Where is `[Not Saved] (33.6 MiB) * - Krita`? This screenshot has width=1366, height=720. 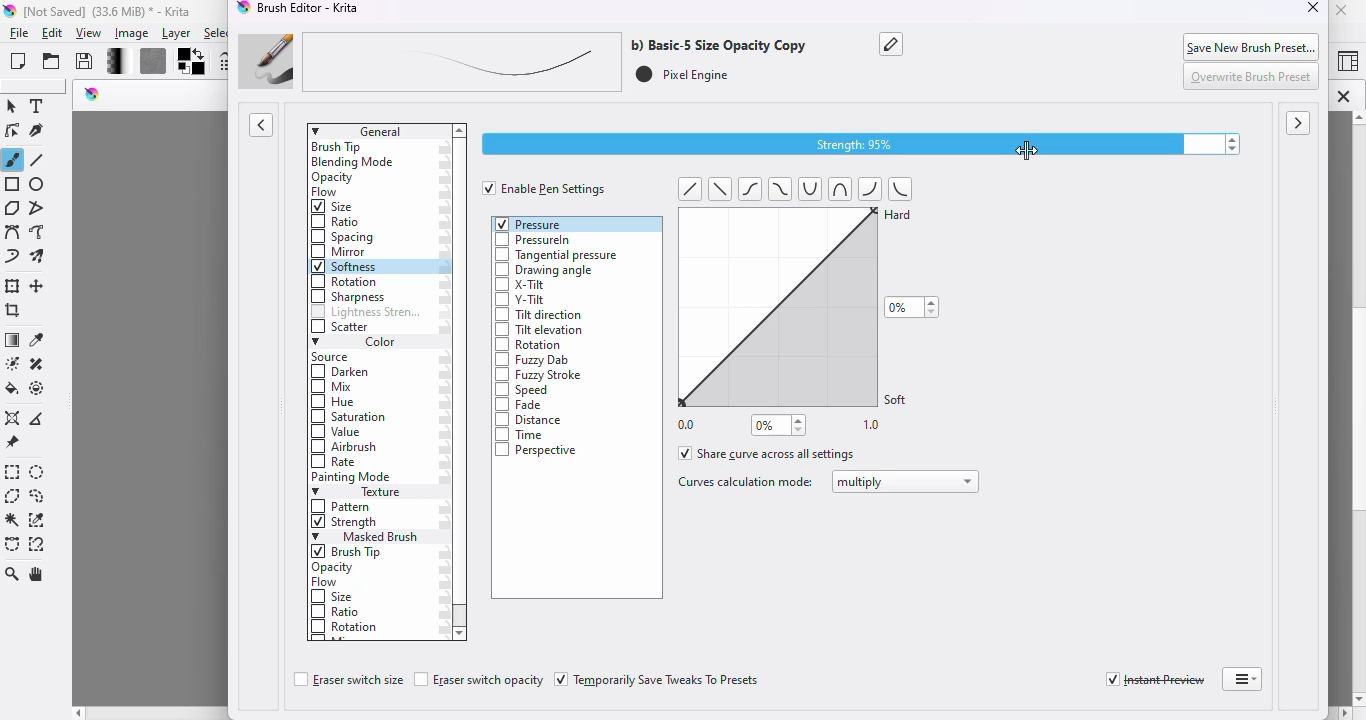
[Not Saved] (33.6 MiB) * - Krita is located at coordinates (117, 11).